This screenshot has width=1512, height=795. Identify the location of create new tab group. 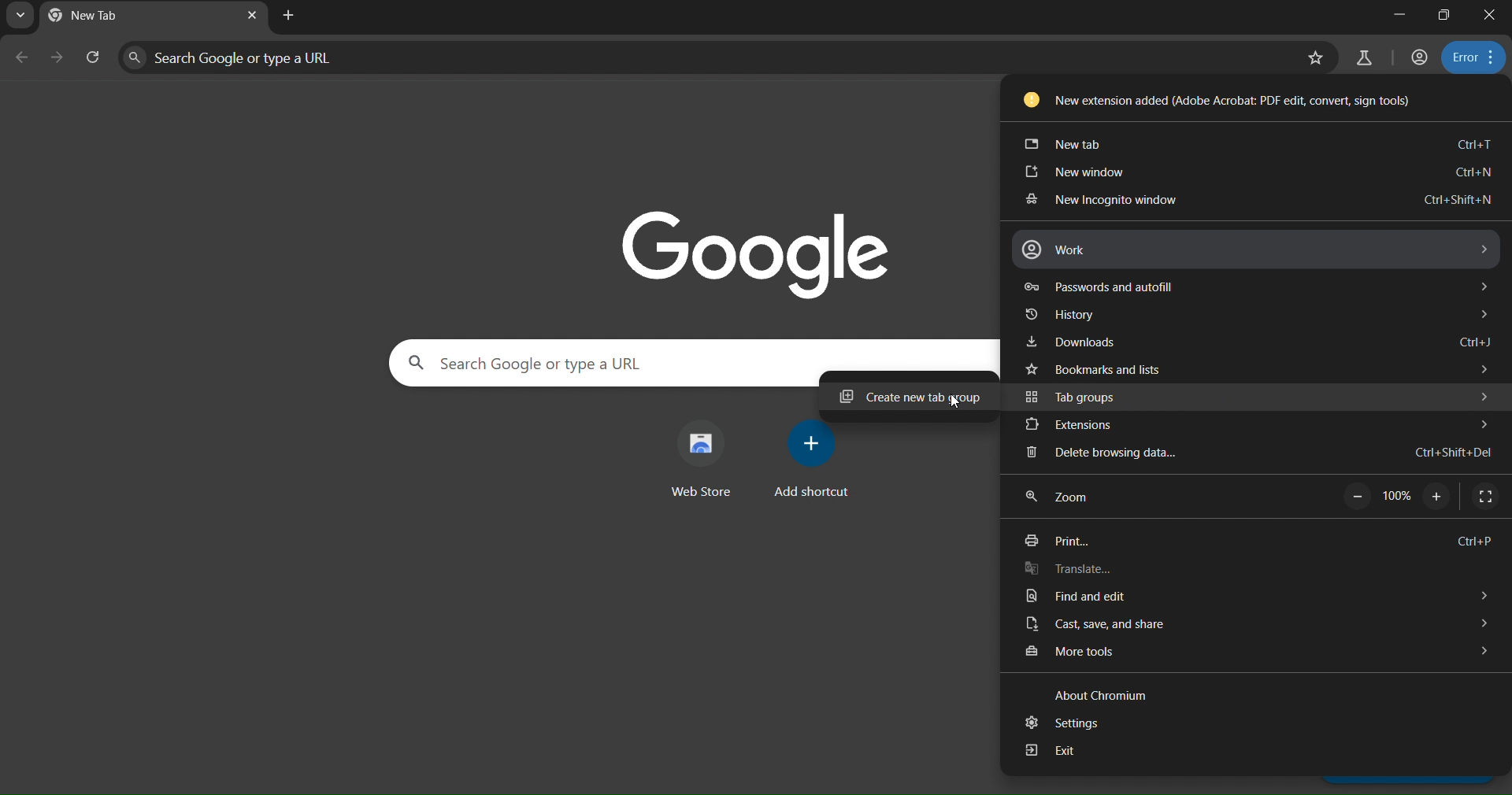
(902, 396).